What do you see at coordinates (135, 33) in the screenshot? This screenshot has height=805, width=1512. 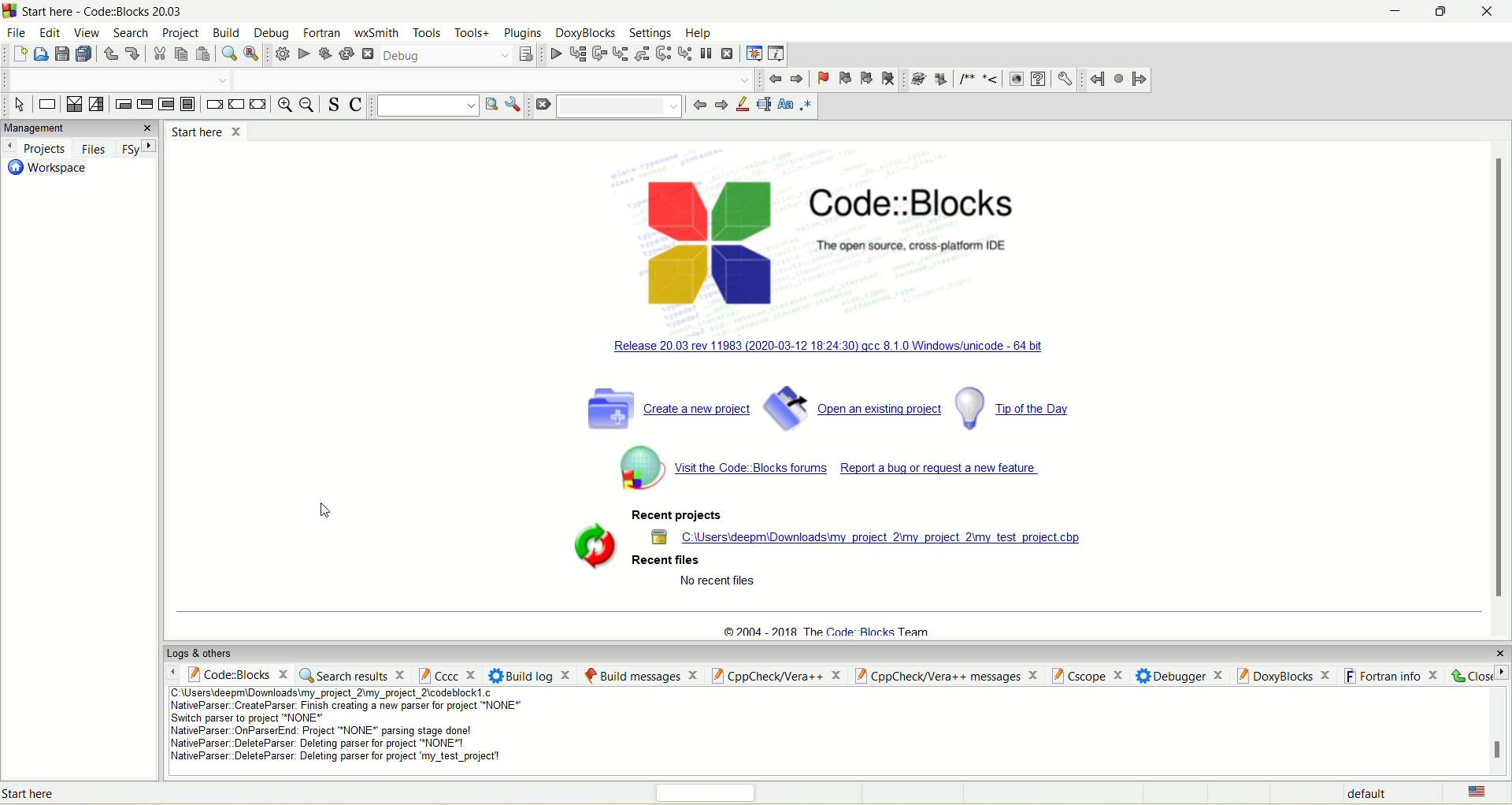 I see `search` at bounding box center [135, 33].